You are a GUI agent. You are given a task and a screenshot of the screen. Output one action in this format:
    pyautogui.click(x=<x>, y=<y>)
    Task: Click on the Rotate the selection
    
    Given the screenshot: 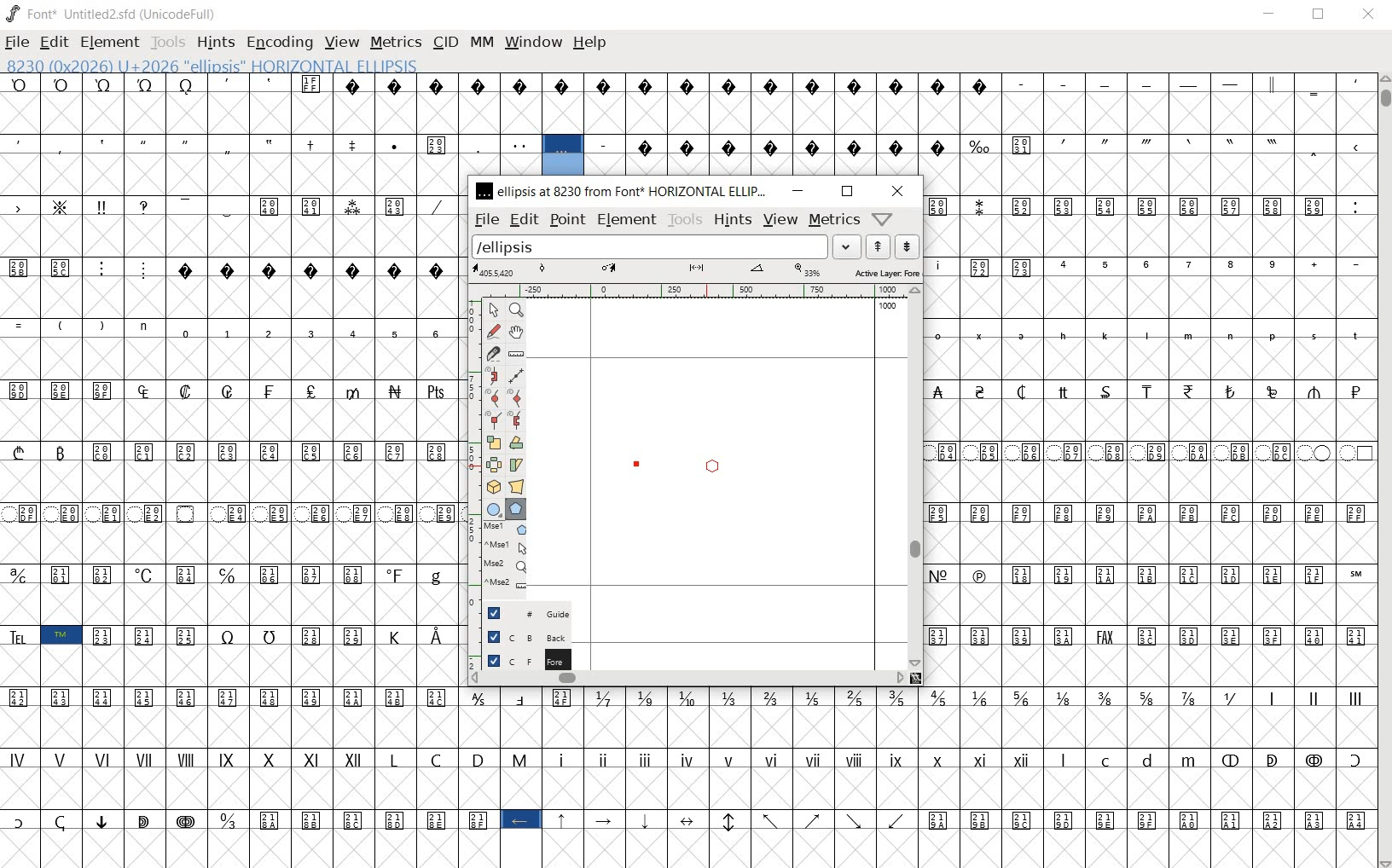 What is the action you would take?
    pyautogui.click(x=516, y=443)
    